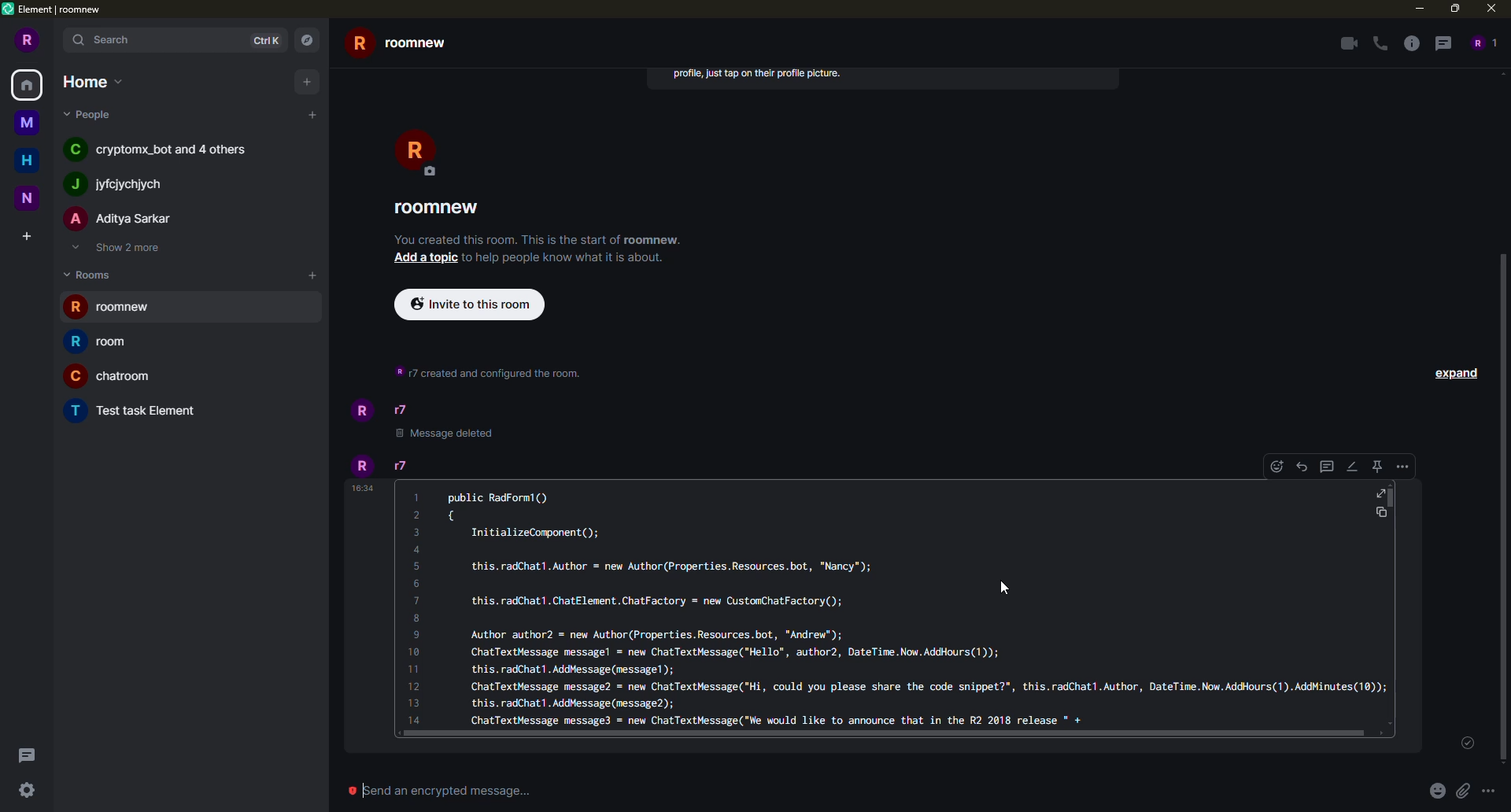  I want to click on add, so click(309, 81).